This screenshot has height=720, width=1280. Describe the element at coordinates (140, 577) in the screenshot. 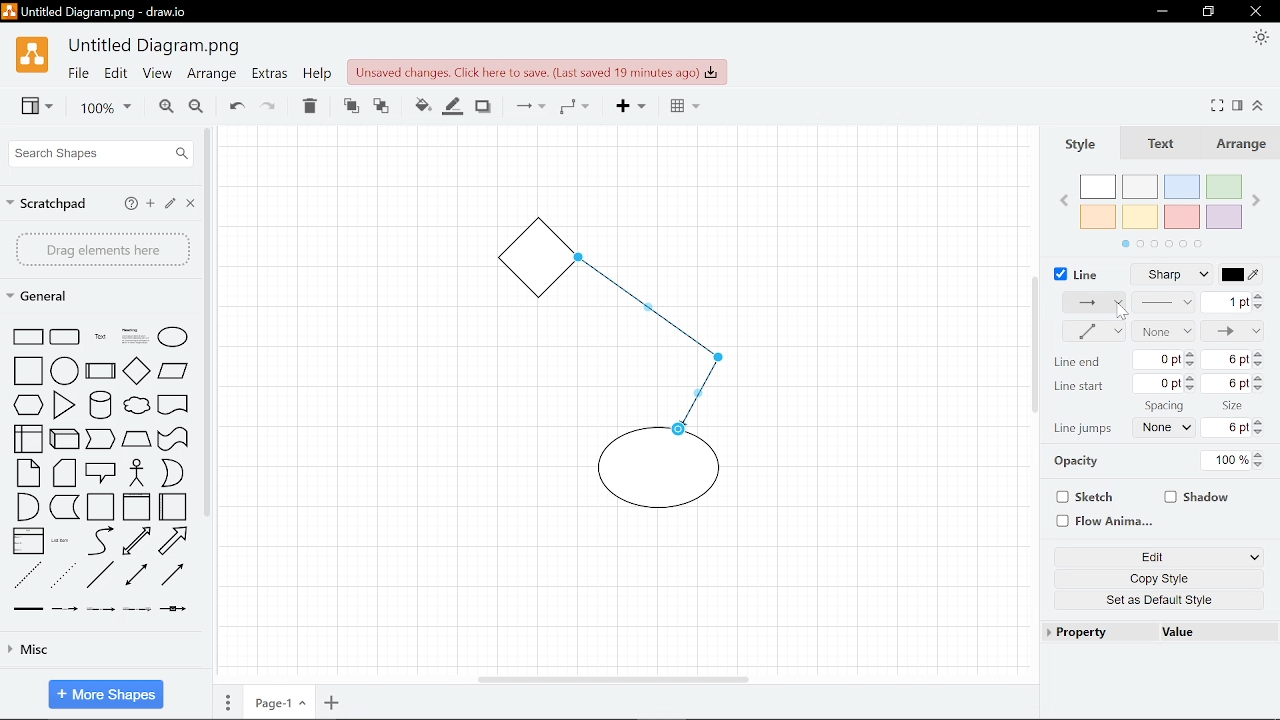

I see `shape` at that location.